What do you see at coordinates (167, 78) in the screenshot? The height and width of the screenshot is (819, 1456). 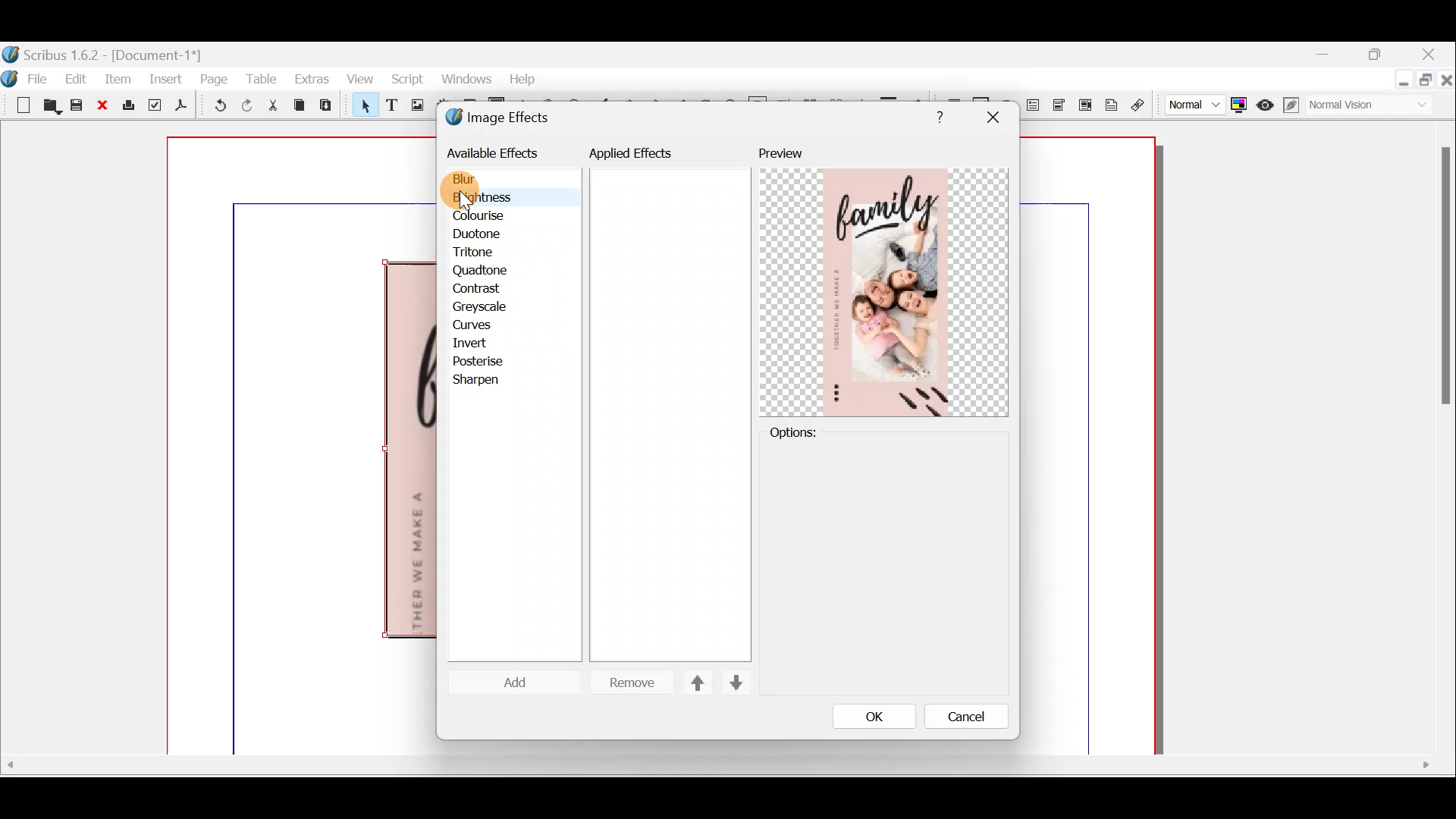 I see `Insert` at bounding box center [167, 78].